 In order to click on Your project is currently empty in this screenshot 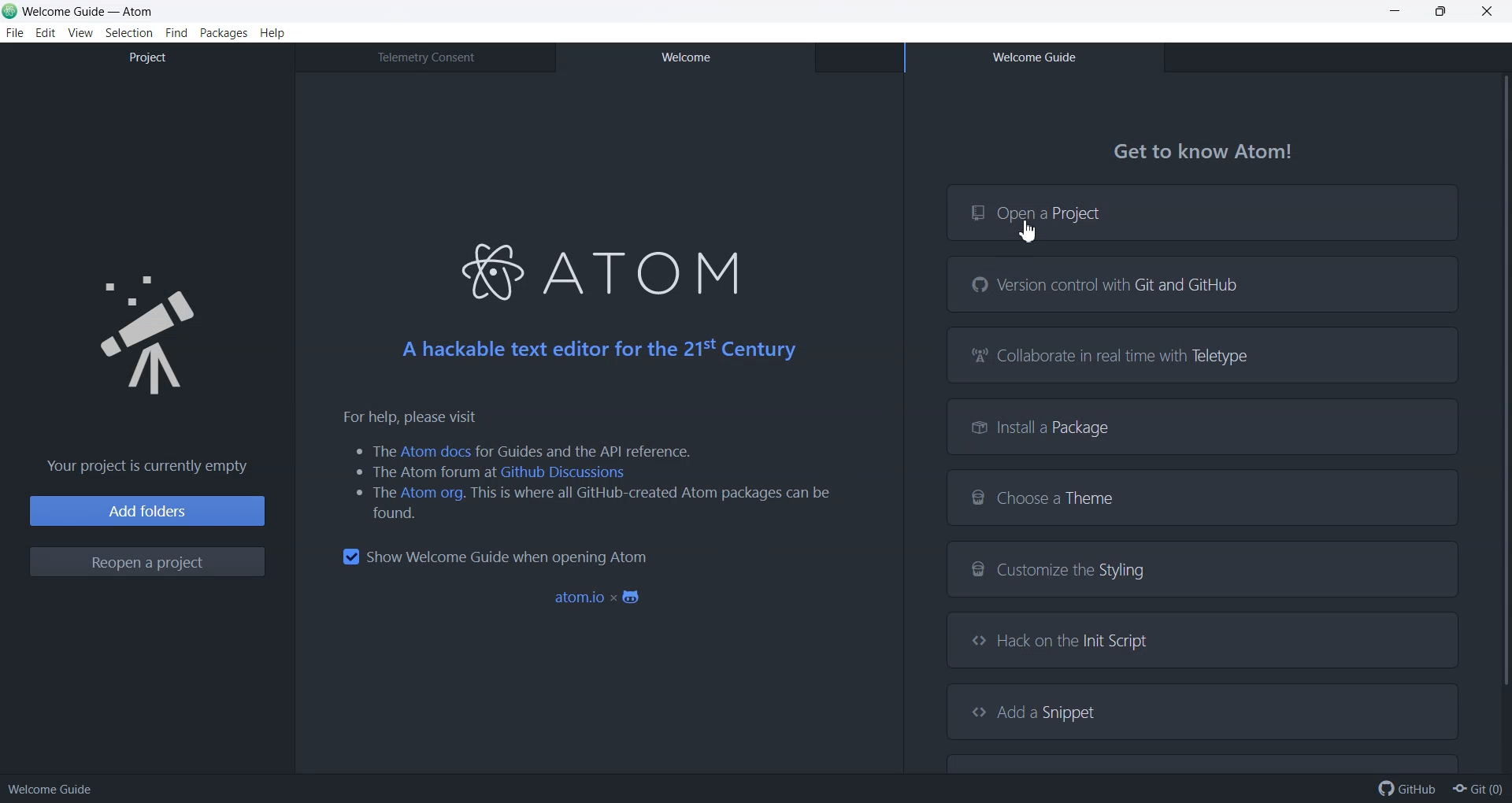, I will do `click(143, 467)`.